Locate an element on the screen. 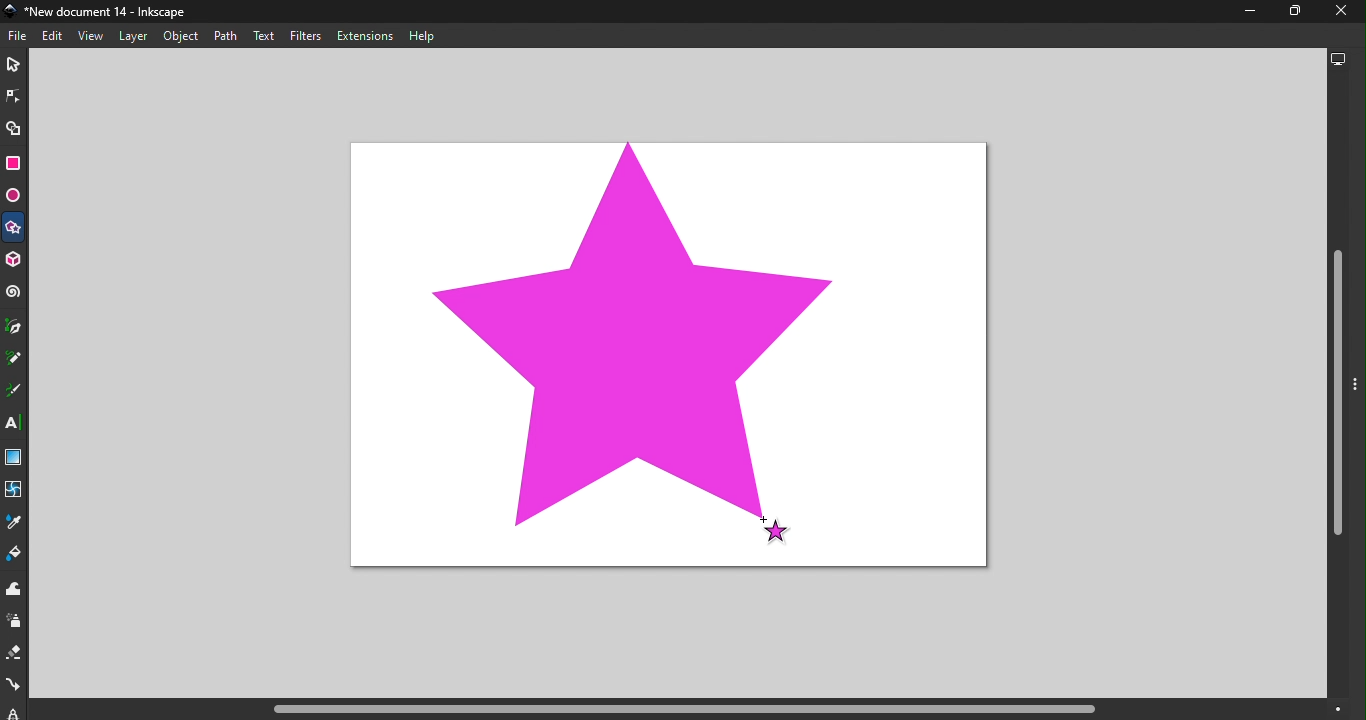  Object is located at coordinates (181, 35).